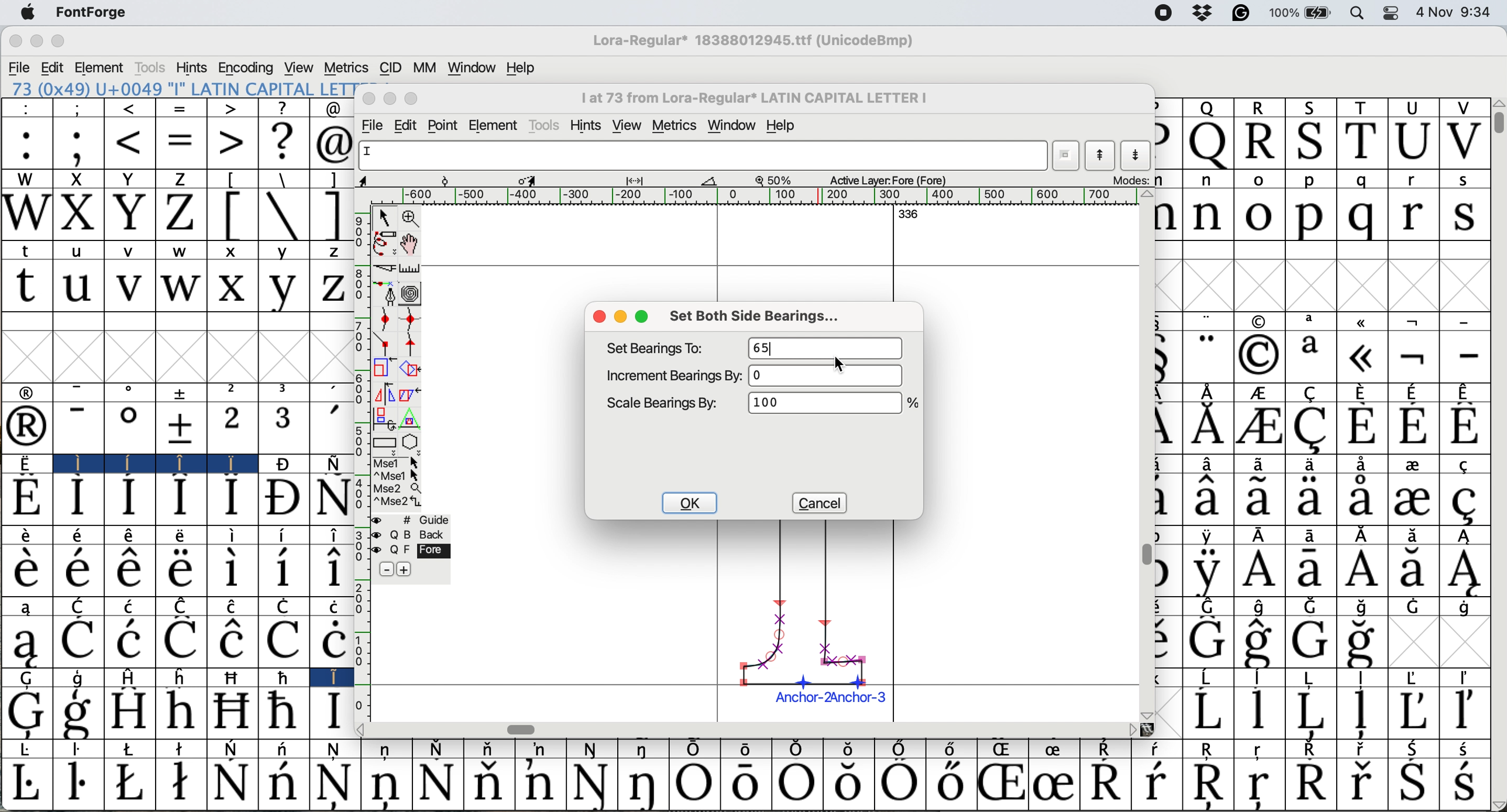 The image size is (1507, 812). I want to click on Symbol, so click(1261, 499).